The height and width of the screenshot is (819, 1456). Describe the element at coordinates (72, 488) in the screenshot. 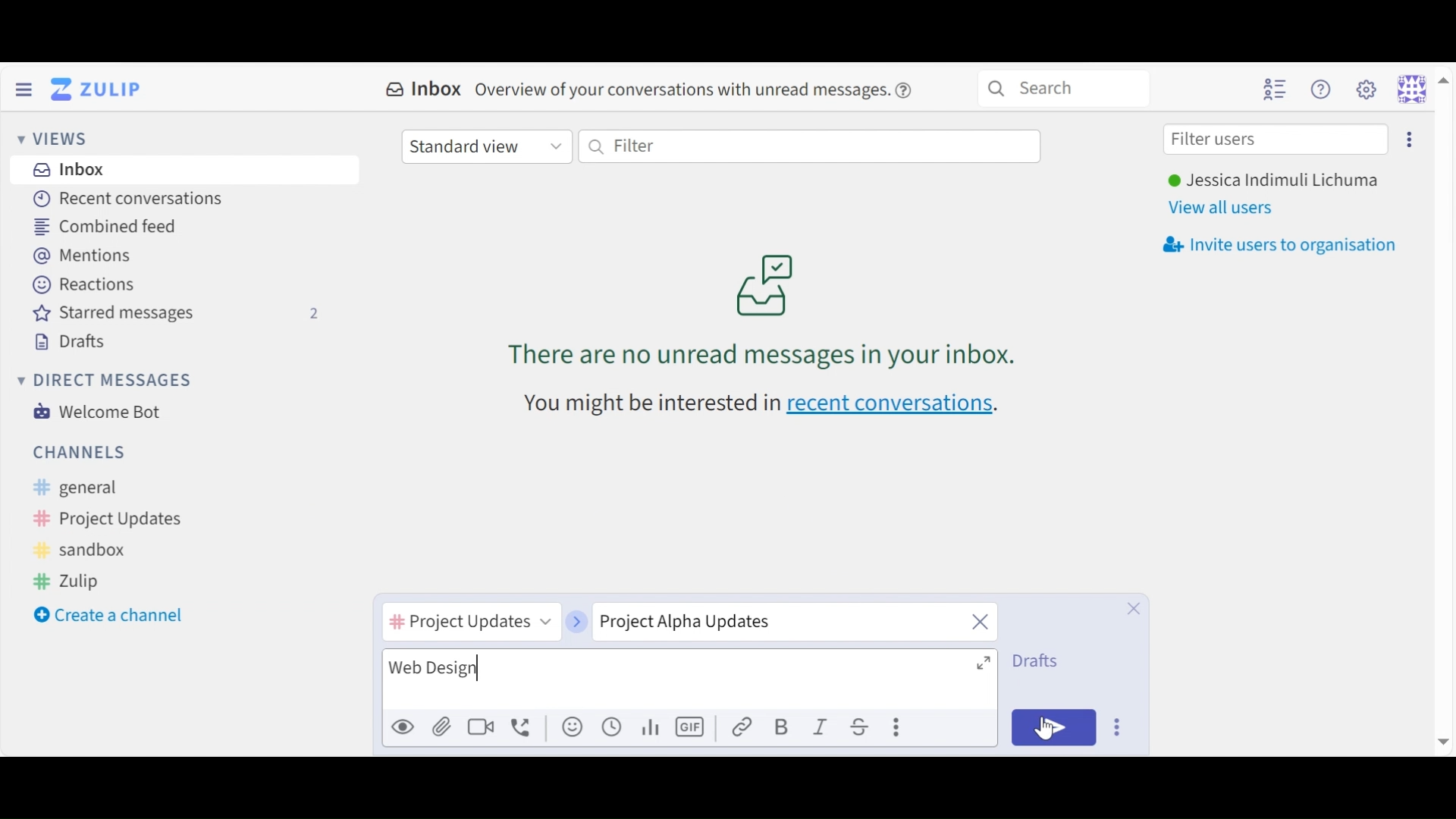

I see `General Channel` at that location.